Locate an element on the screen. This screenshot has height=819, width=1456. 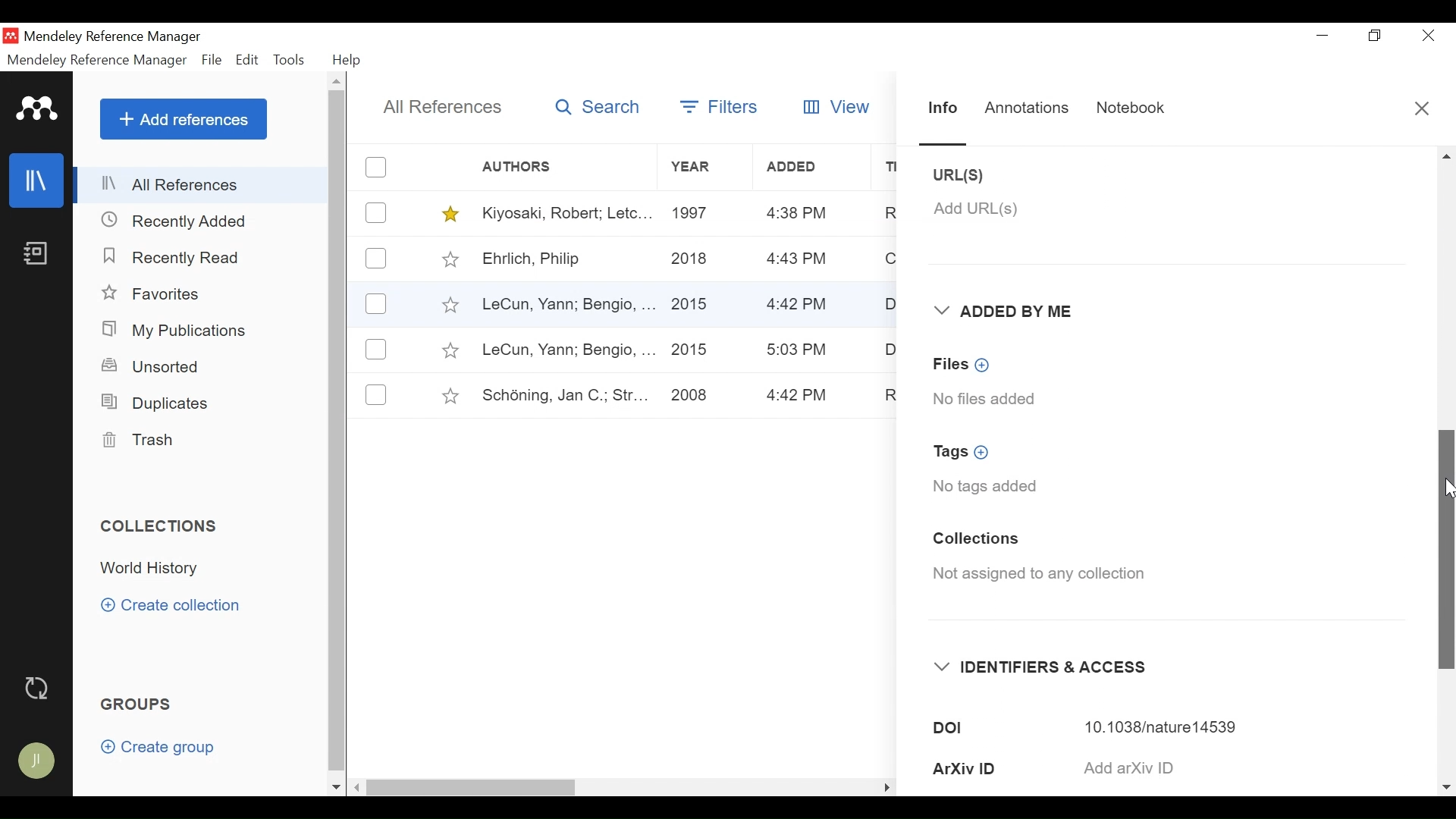
My Publications is located at coordinates (179, 331).